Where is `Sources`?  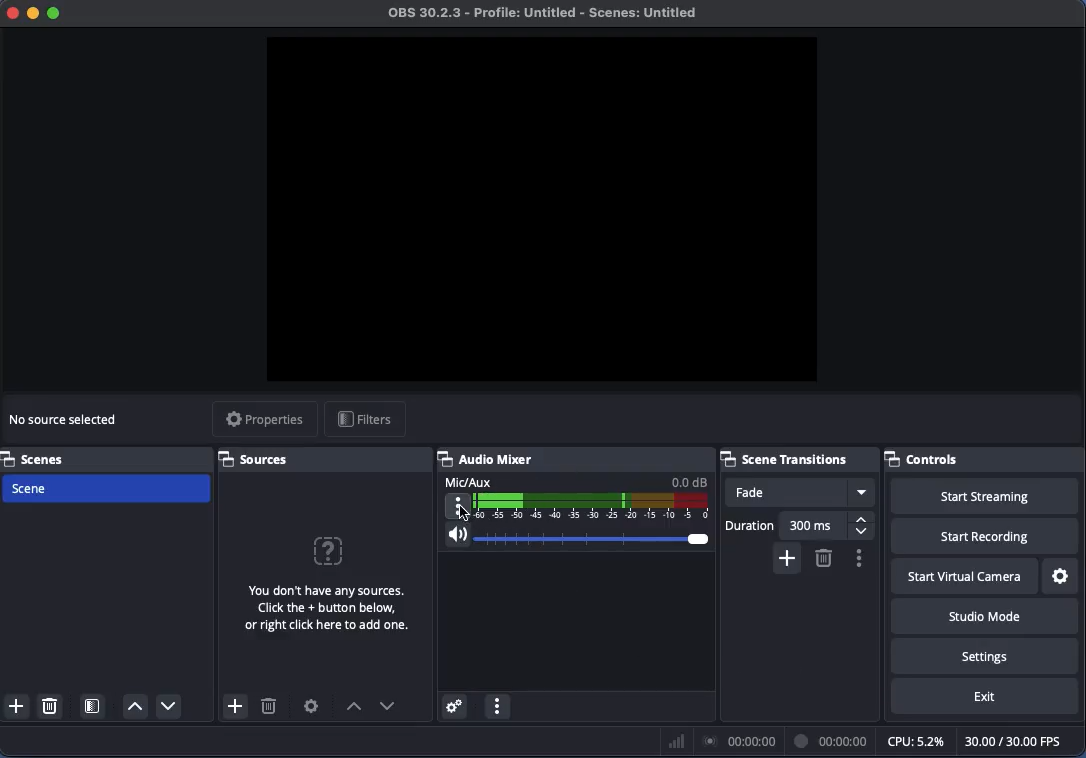 Sources is located at coordinates (259, 459).